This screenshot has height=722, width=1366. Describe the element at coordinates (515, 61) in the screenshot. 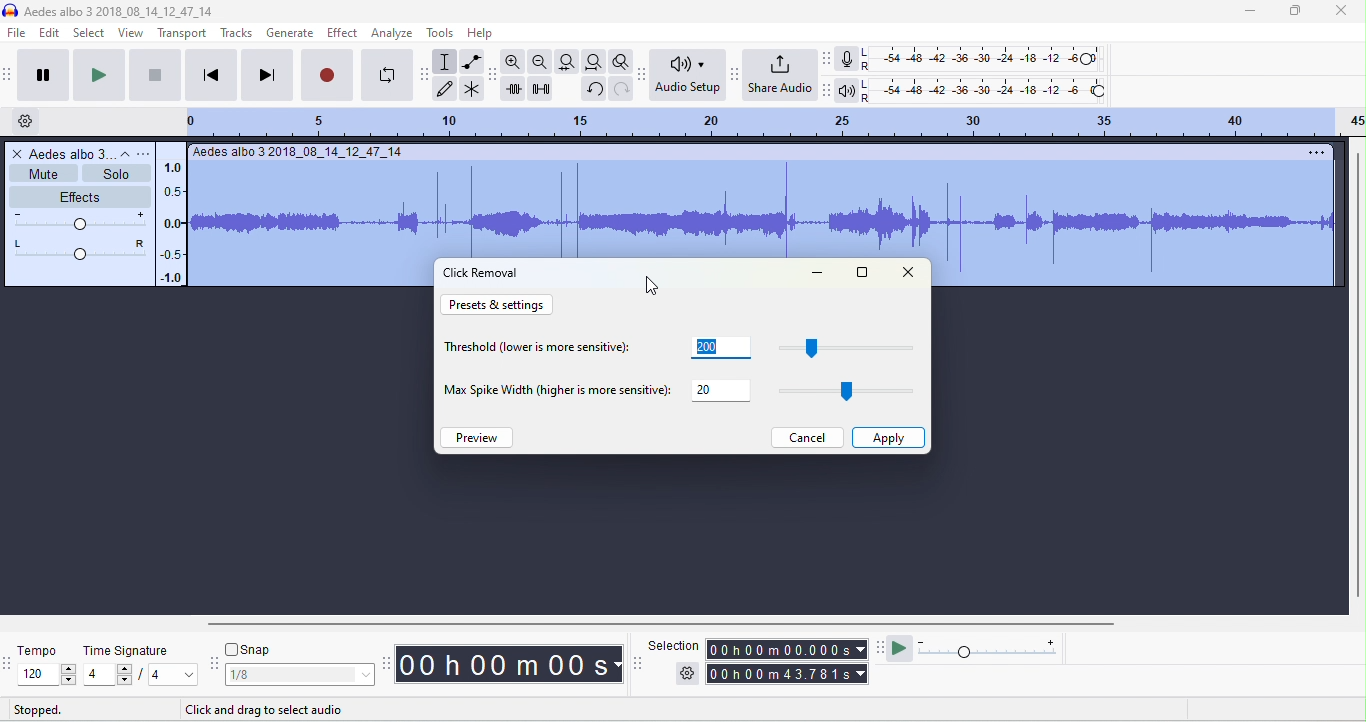

I see `zoom in` at that location.